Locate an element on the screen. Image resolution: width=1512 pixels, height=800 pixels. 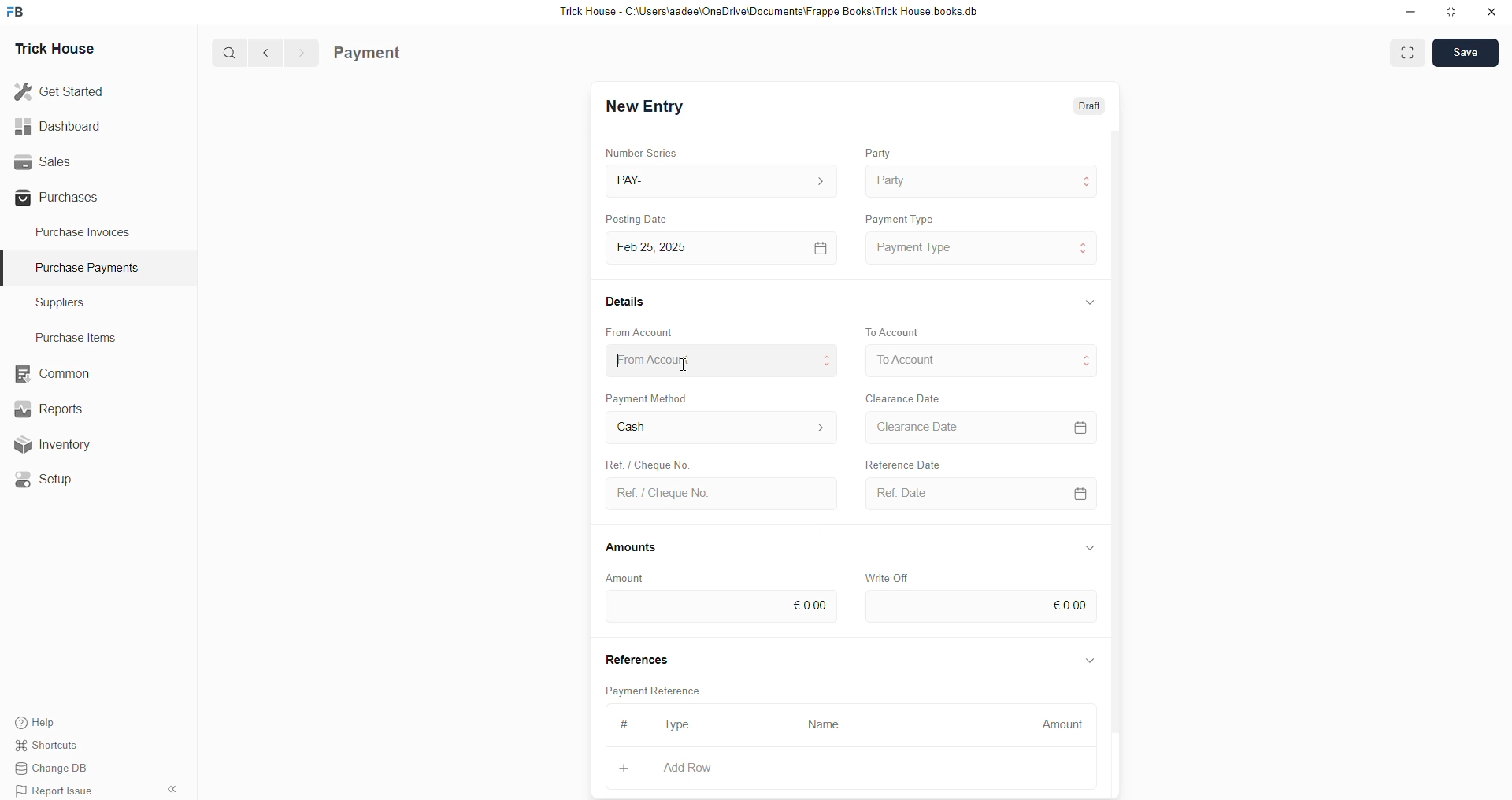
cursor is located at coordinates (613, 364).